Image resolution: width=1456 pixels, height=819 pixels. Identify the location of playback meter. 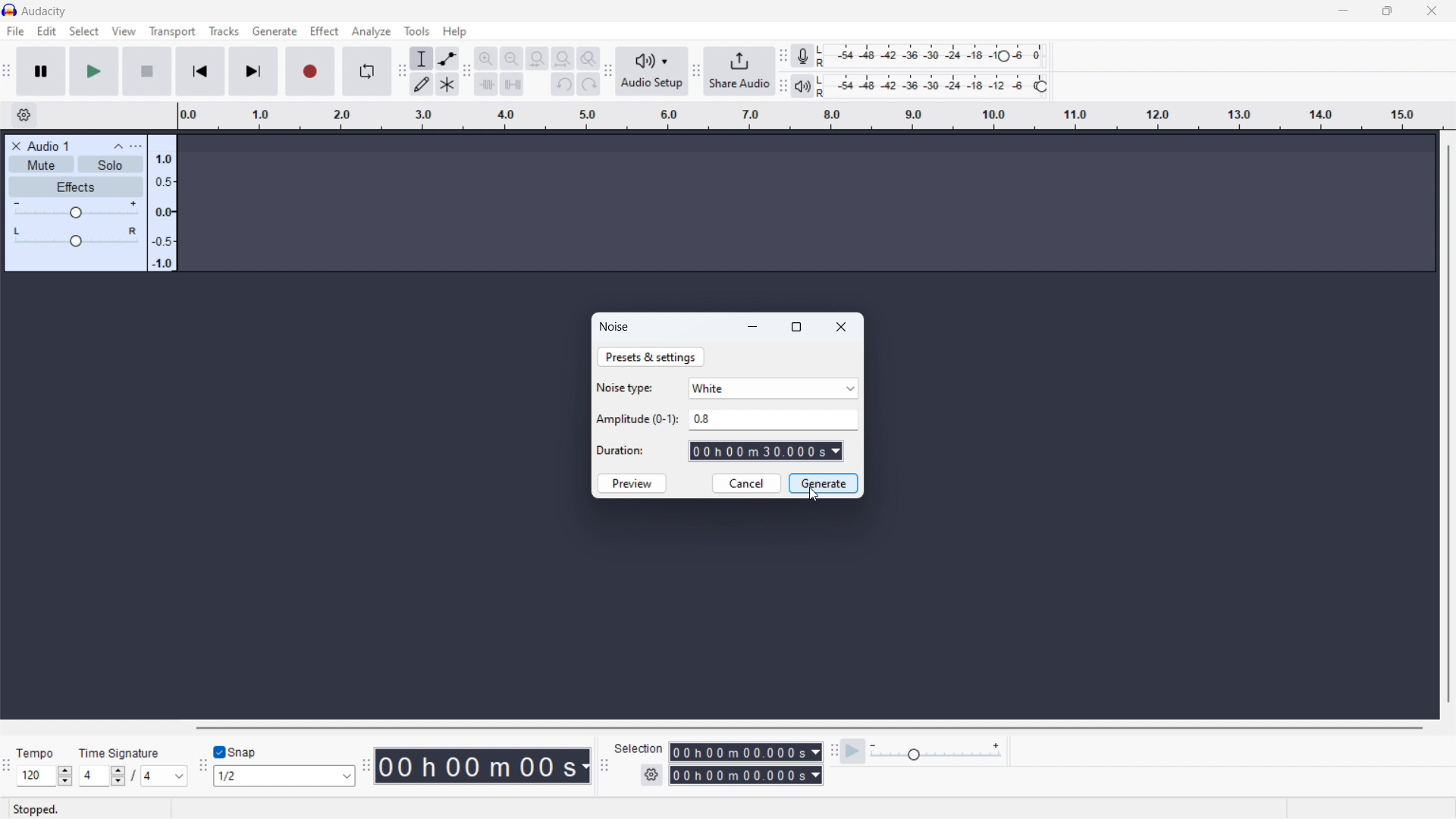
(937, 751).